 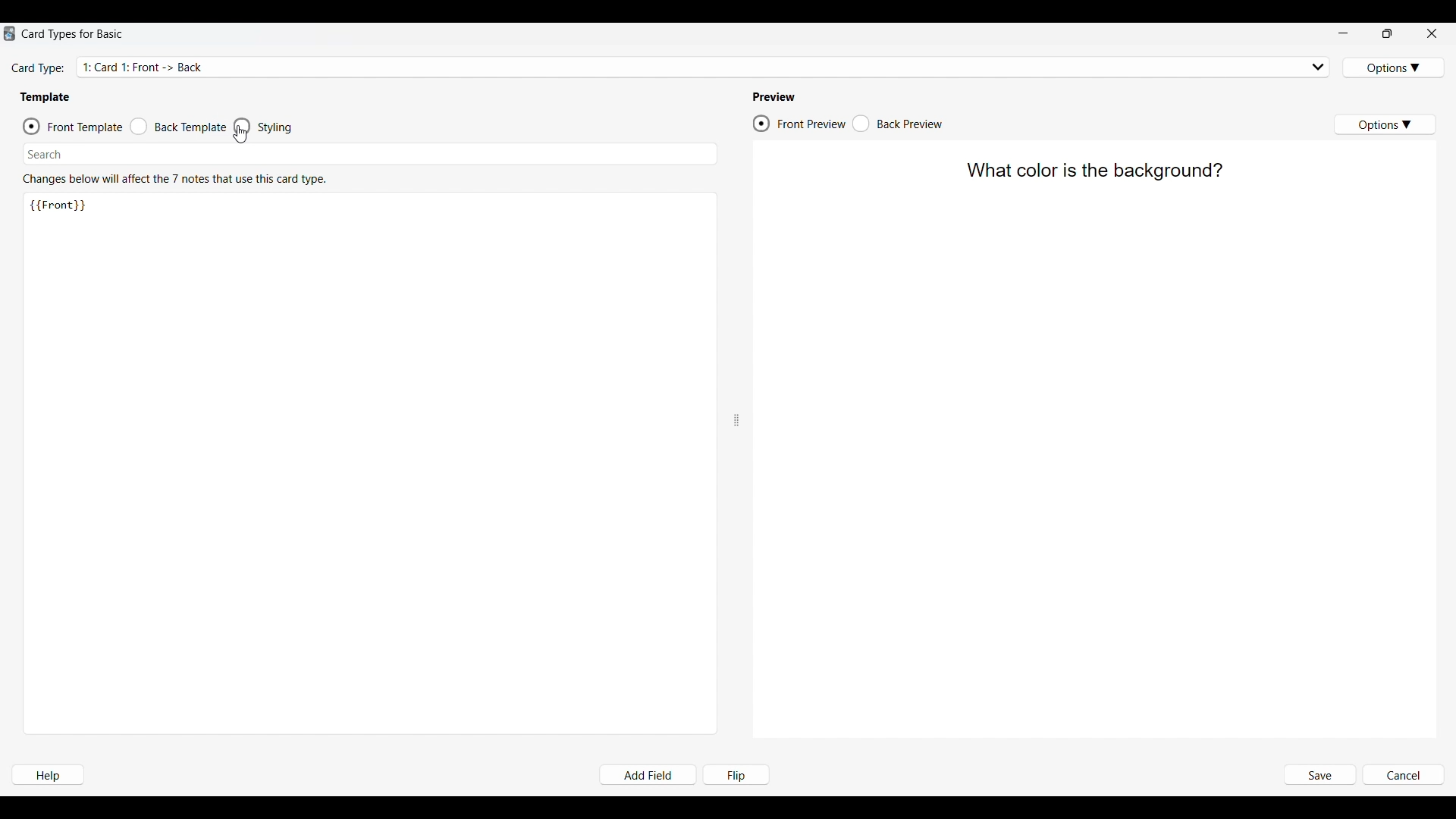 I want to click on Text on front of card, so click(x=1093, y=172).